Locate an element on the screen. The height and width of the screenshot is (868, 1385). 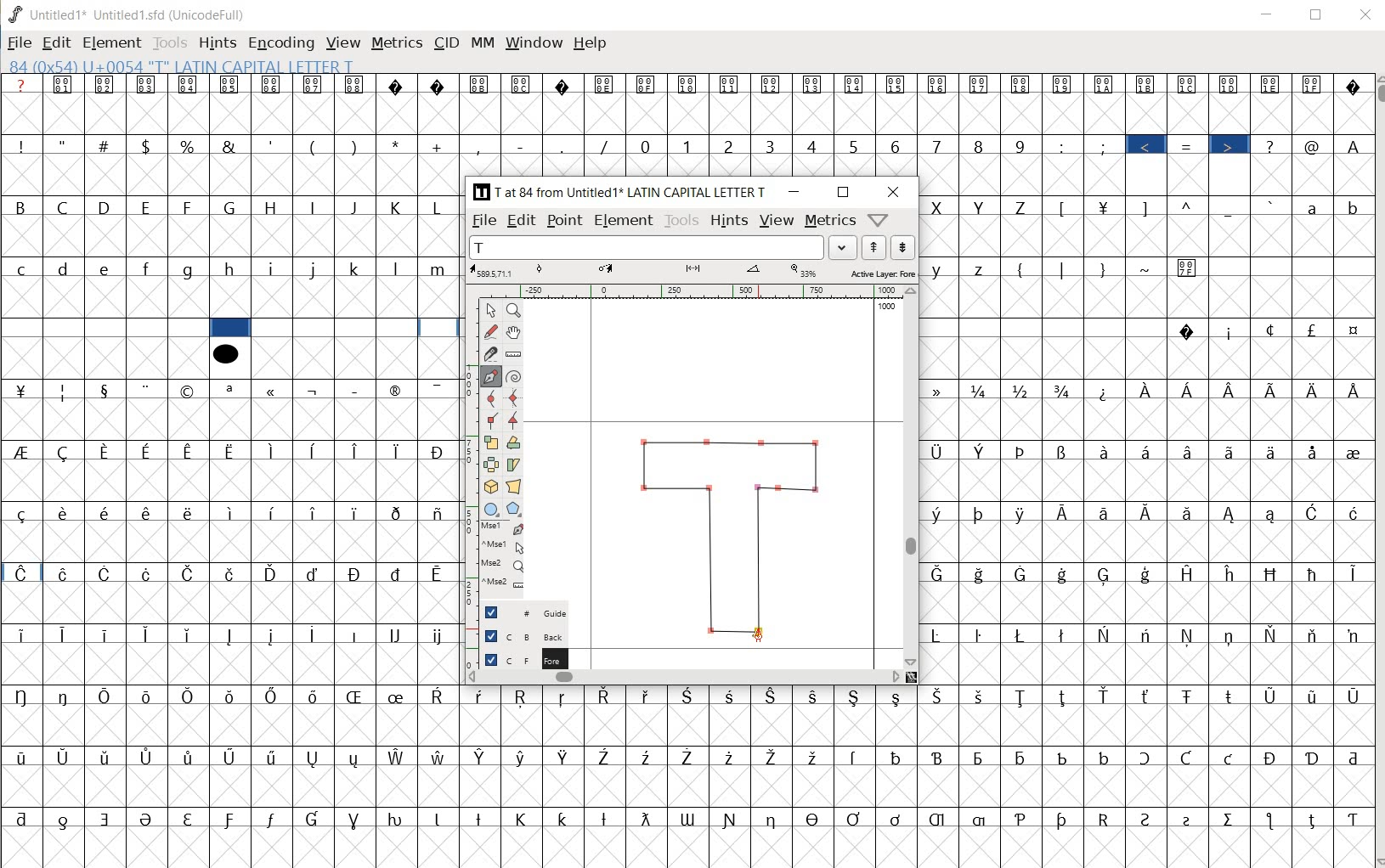
Symbol is located at coordinates (1352, 450).